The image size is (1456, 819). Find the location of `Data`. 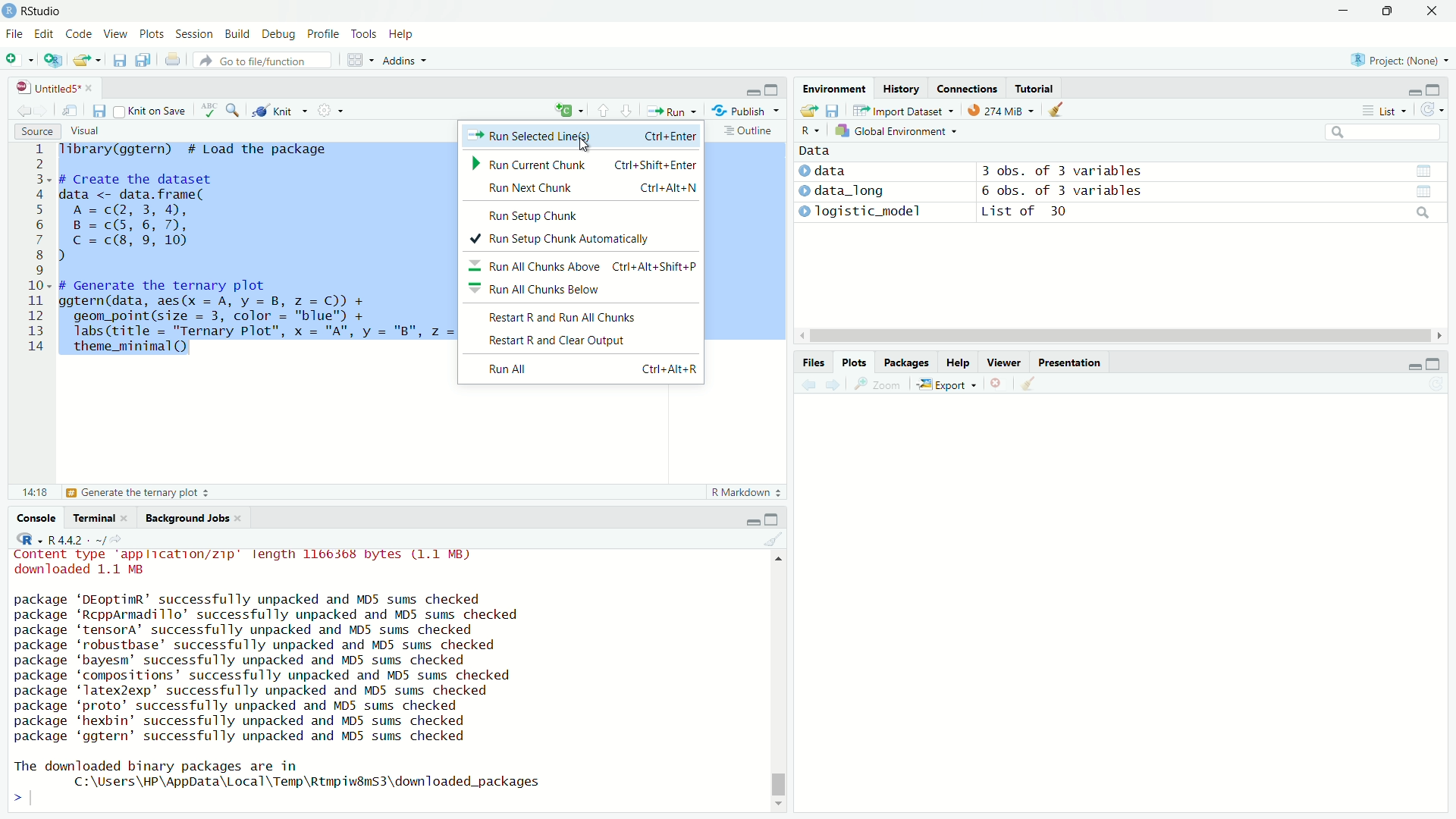

Data is located at coordinates (812, 149).